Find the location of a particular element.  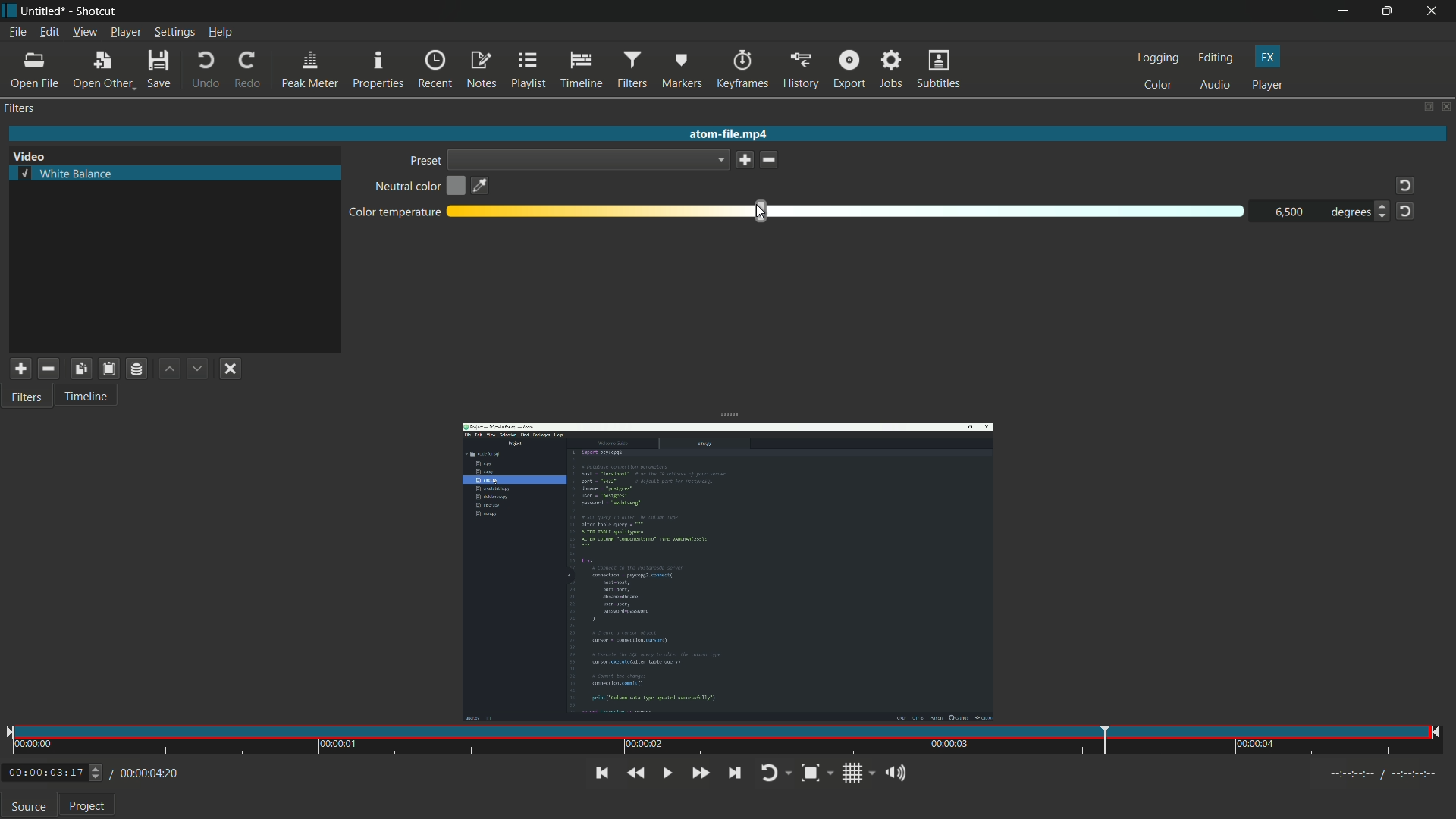

filters is located at coordinates (21, 110).